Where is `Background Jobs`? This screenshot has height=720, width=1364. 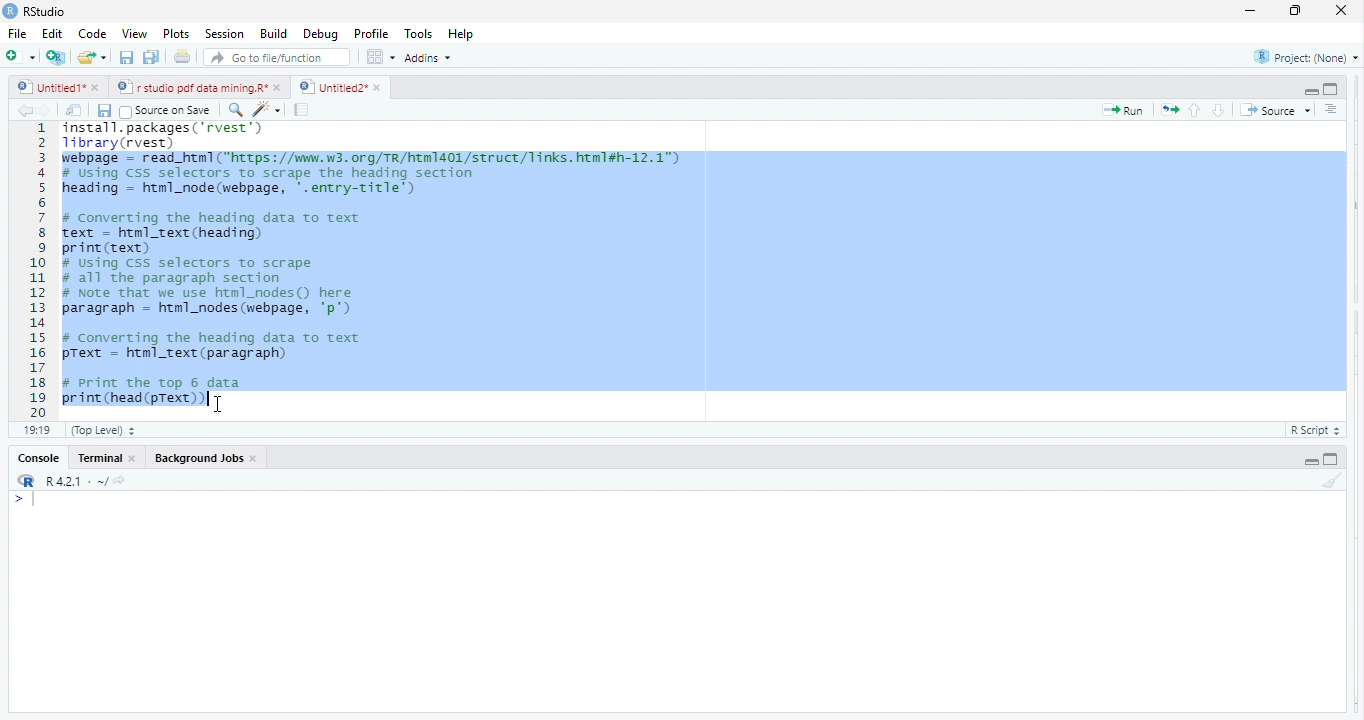
Background Jobs is located at coordinates (196, 456).